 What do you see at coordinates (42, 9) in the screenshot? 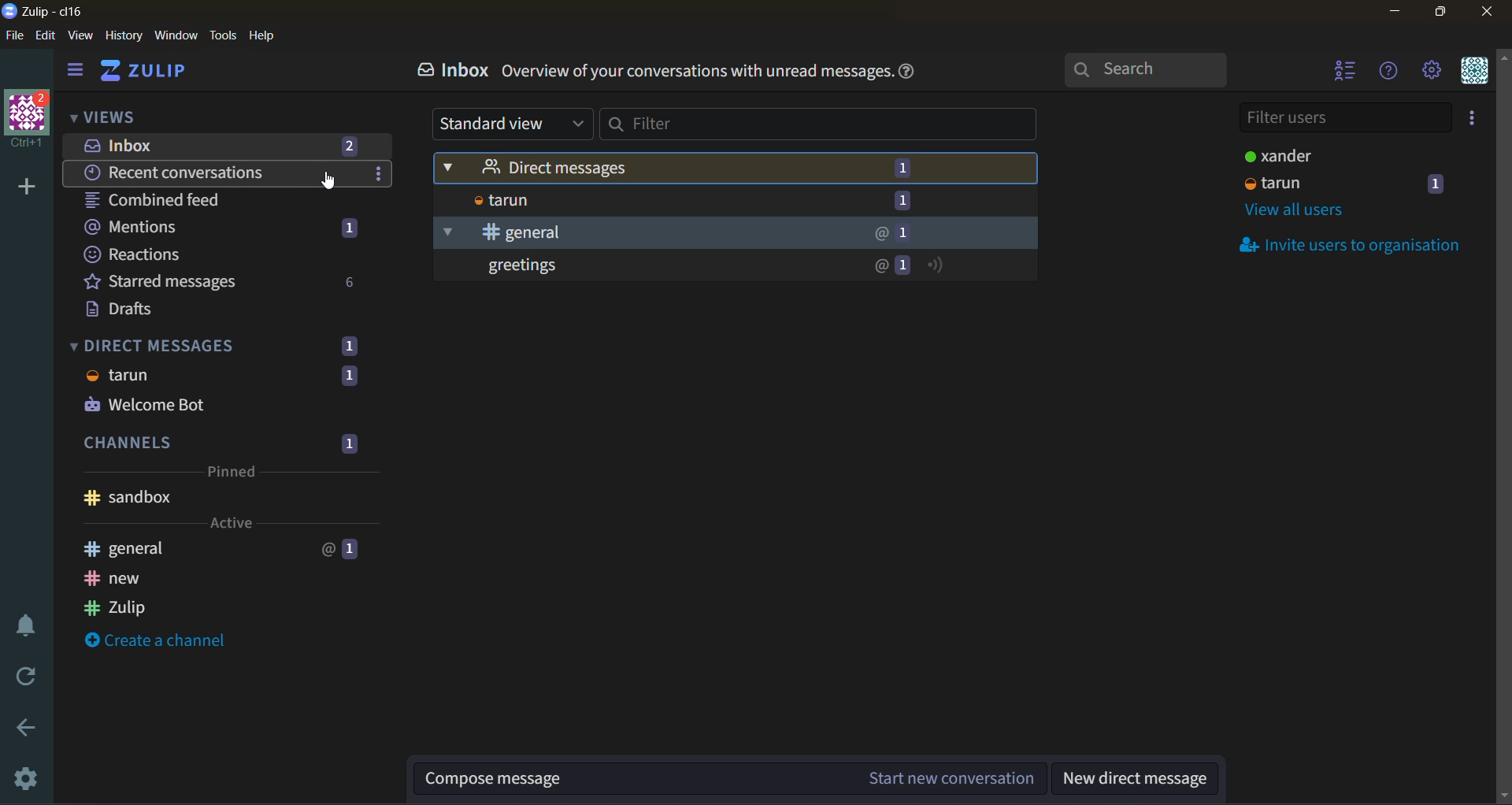
I see `app name and organisation name` at bounding box center [42, 9].